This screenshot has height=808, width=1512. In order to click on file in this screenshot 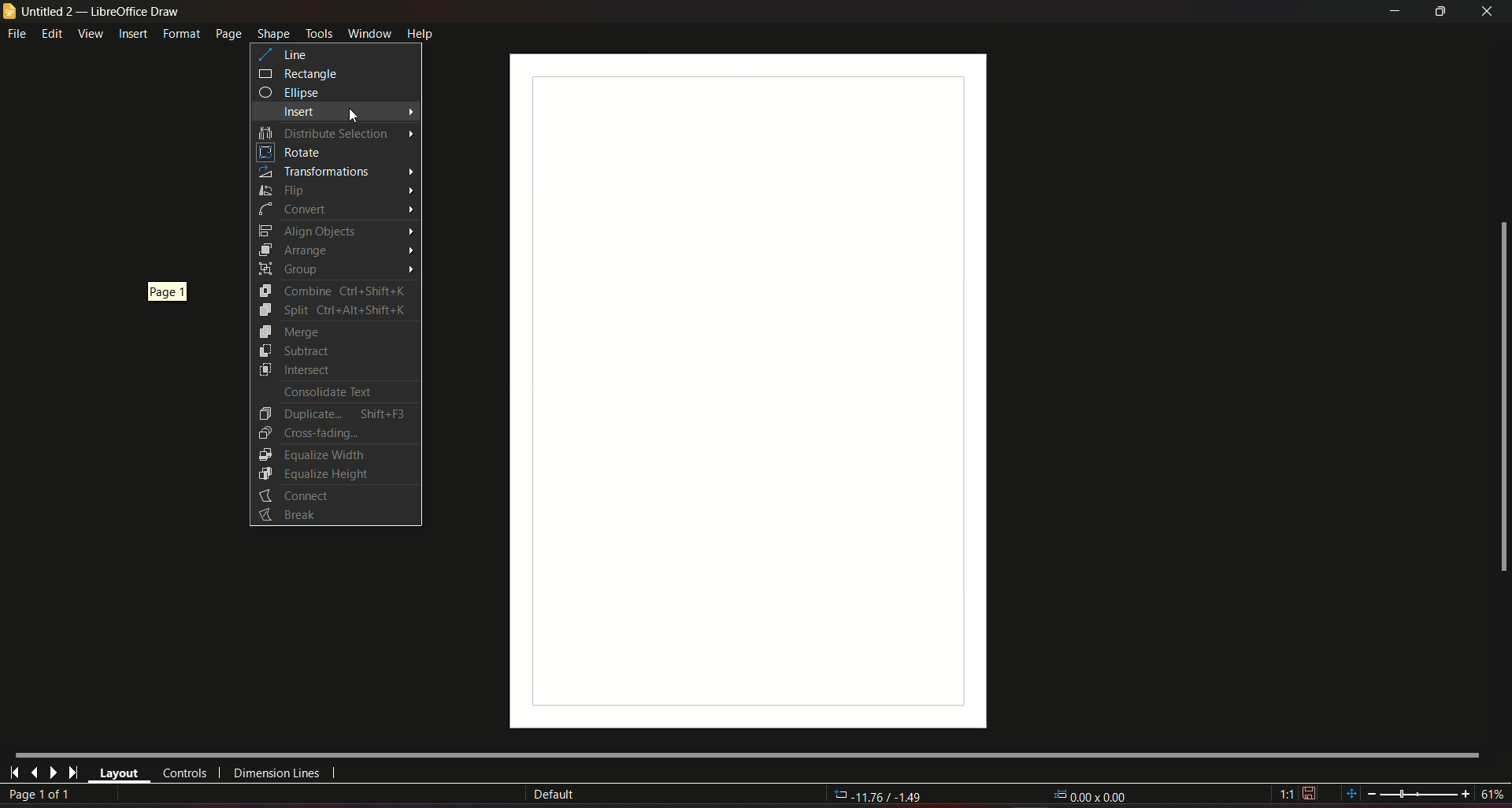, I will do `click(18, 35)`.